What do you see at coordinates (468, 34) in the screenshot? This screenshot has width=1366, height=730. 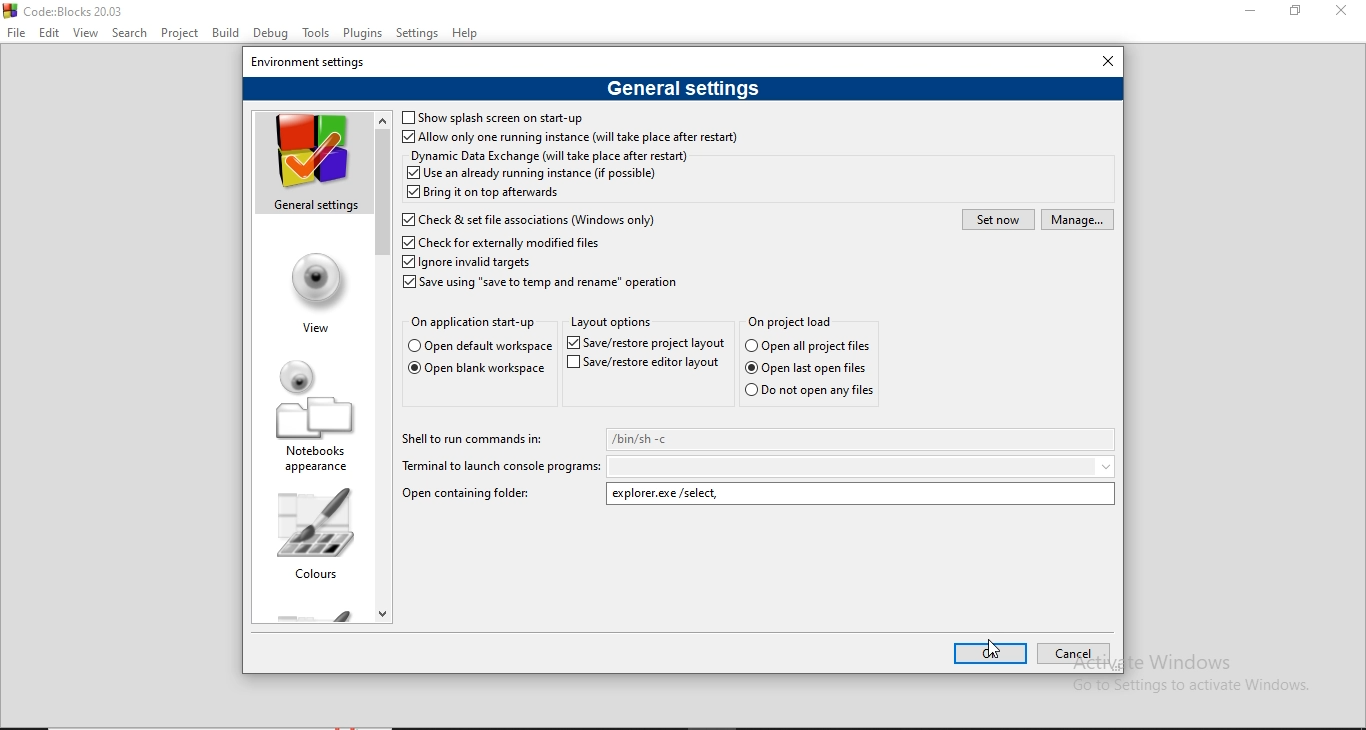 I see `Help` at bounding box center [468, 34].